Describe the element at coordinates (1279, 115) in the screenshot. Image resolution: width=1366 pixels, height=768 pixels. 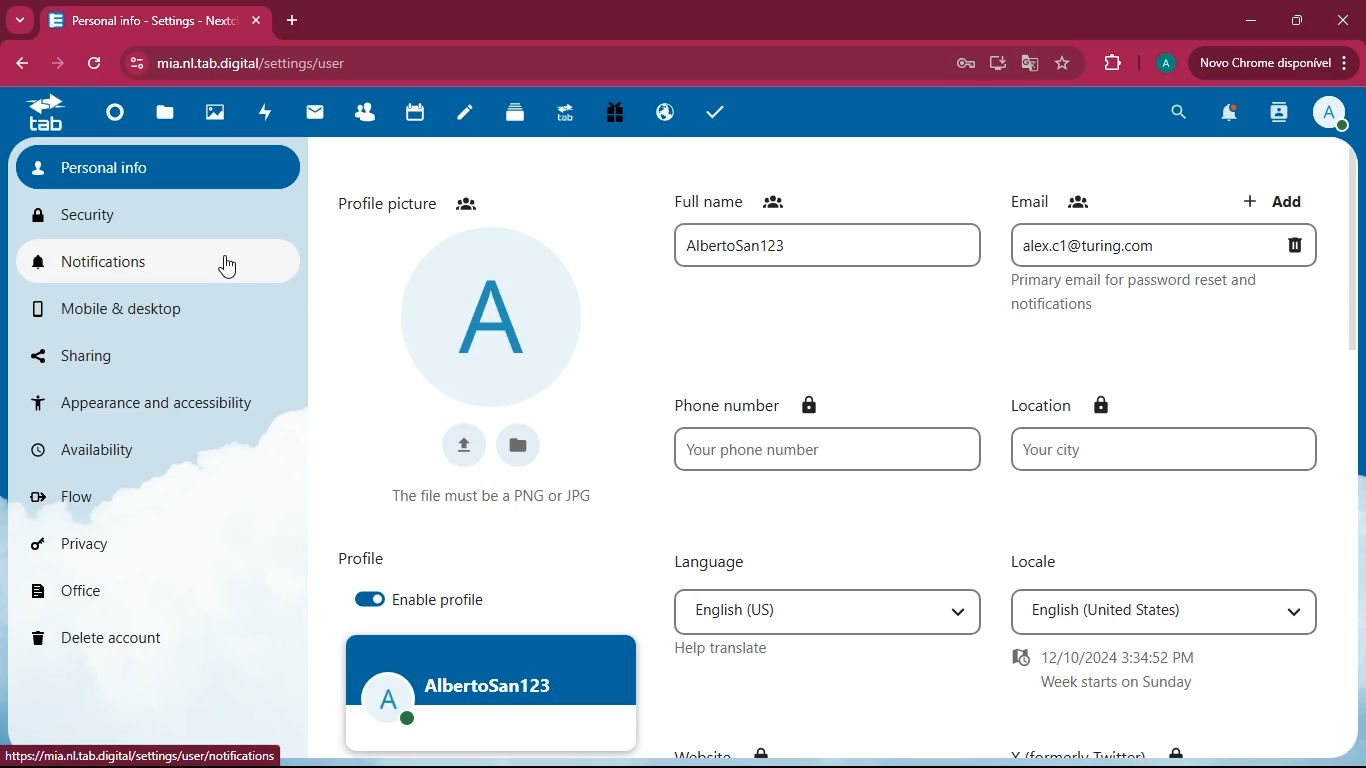
I see `activity` at that location.